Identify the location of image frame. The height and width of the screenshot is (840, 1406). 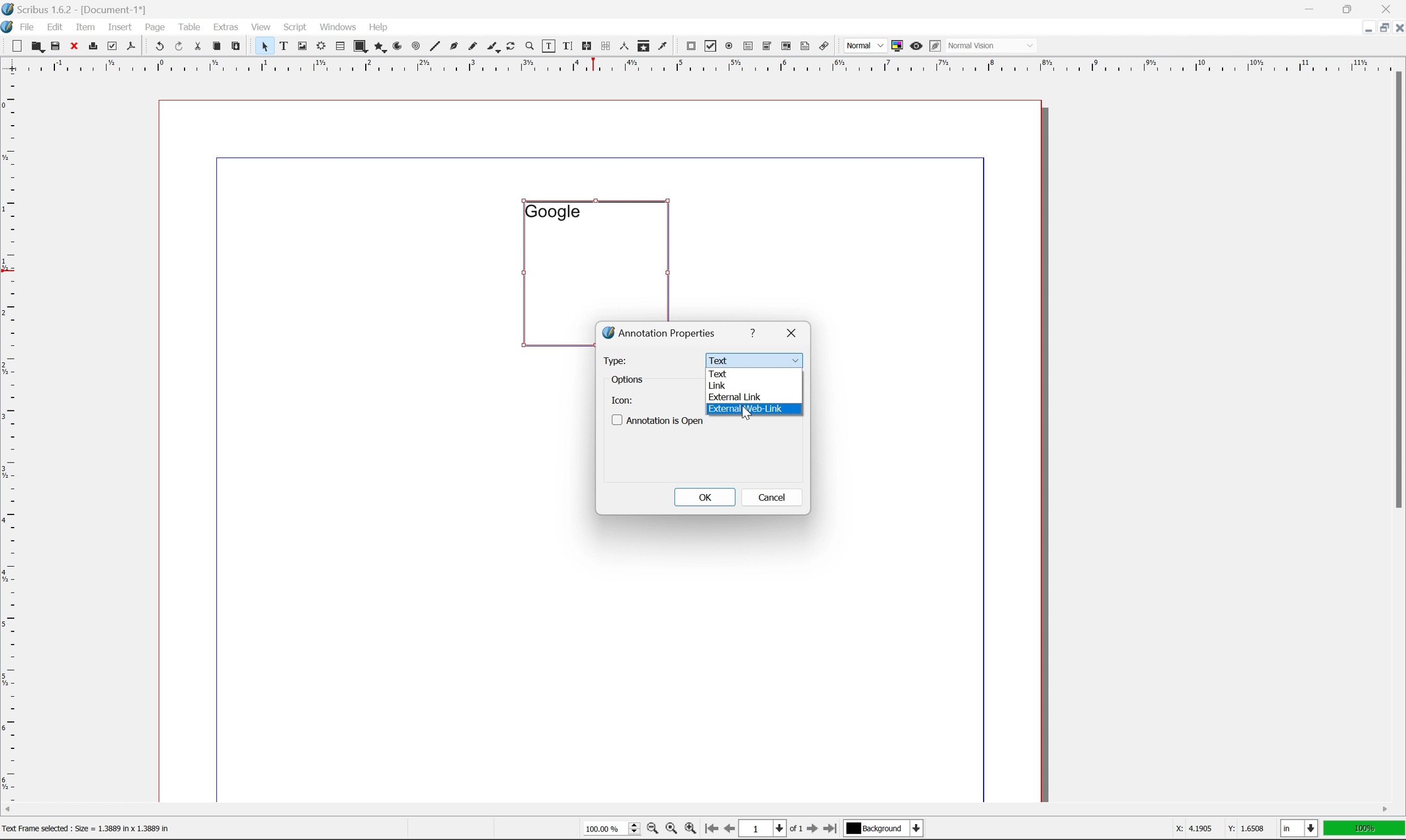
(302, 47).